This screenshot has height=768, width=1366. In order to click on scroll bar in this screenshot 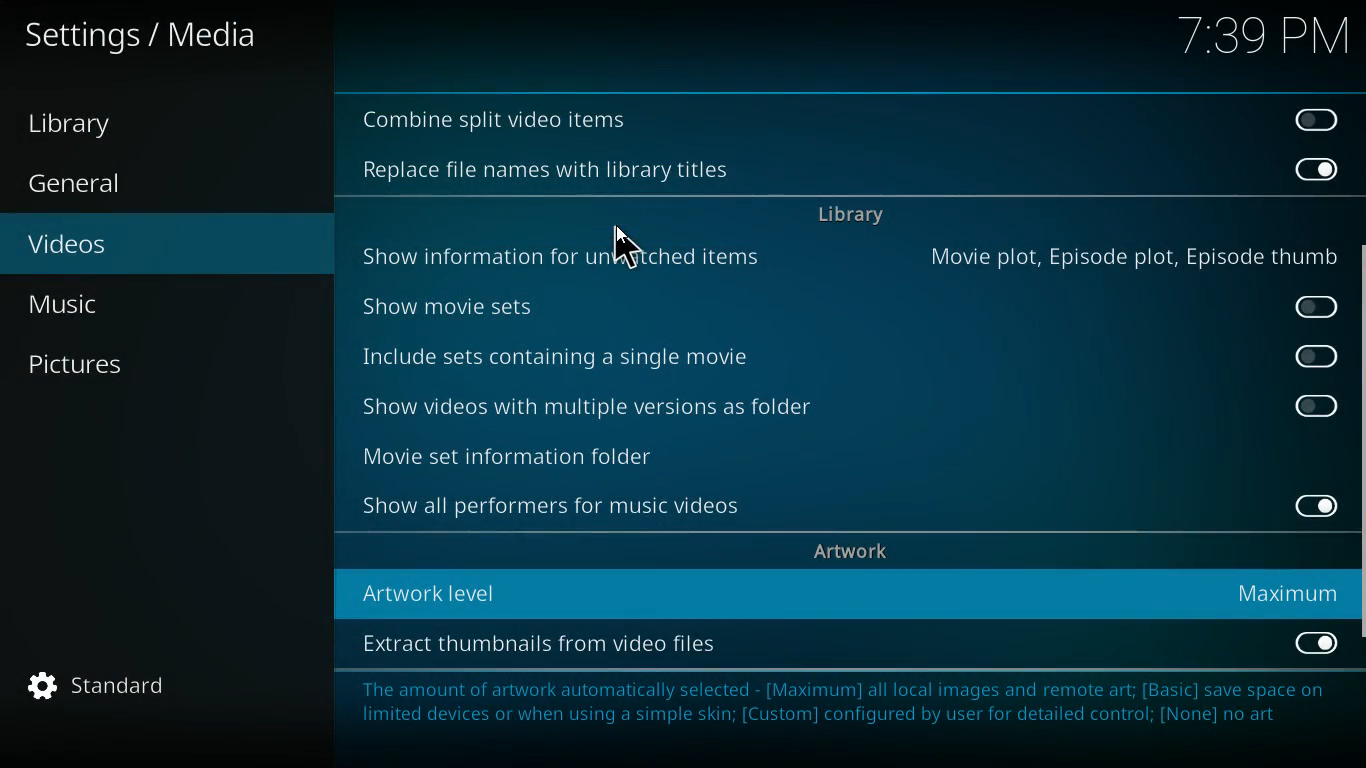, I will do `click(1359, 461)`.